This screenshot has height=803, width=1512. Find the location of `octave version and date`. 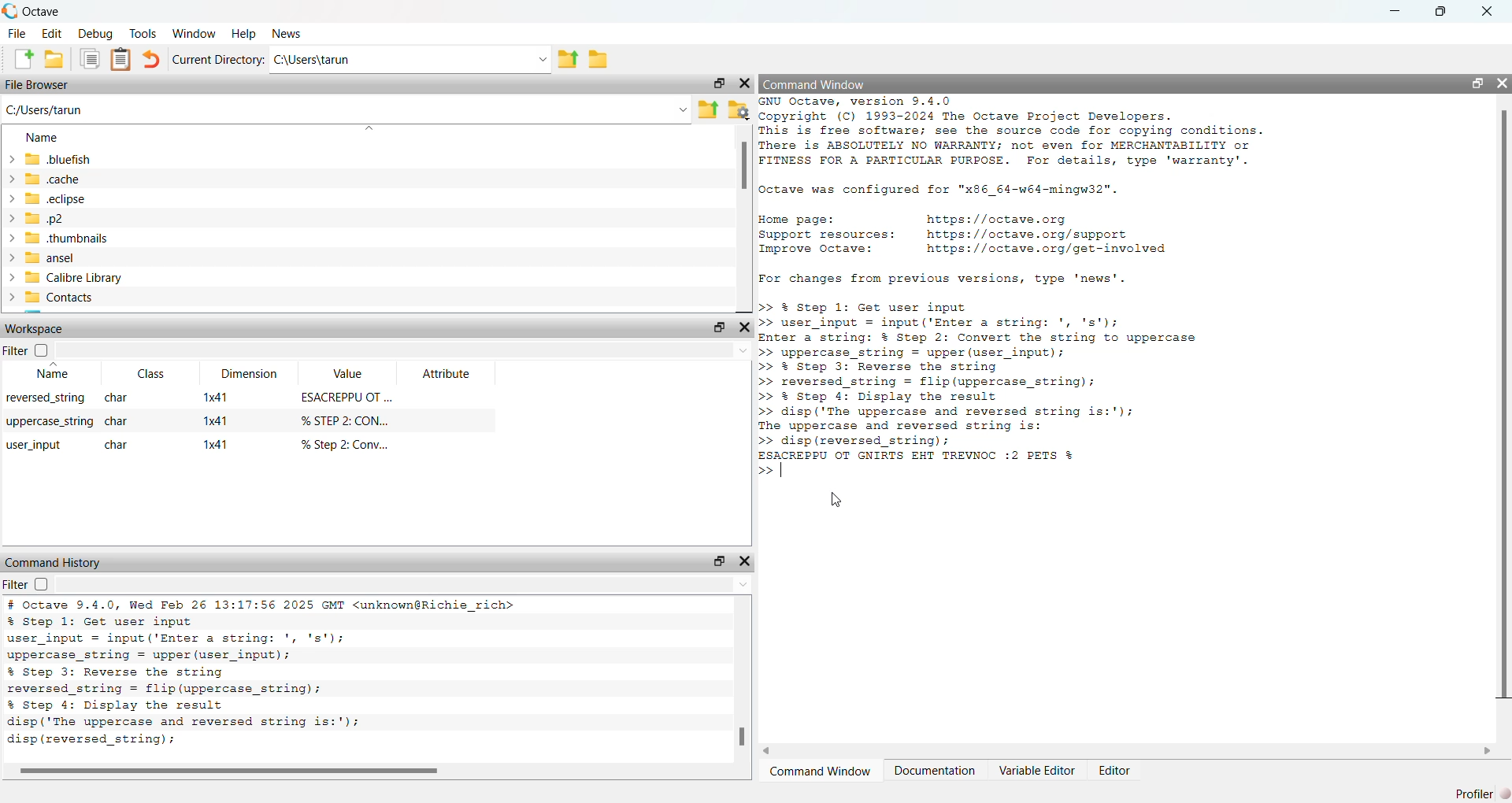

octave version and date is located at coordinates (299, 741).